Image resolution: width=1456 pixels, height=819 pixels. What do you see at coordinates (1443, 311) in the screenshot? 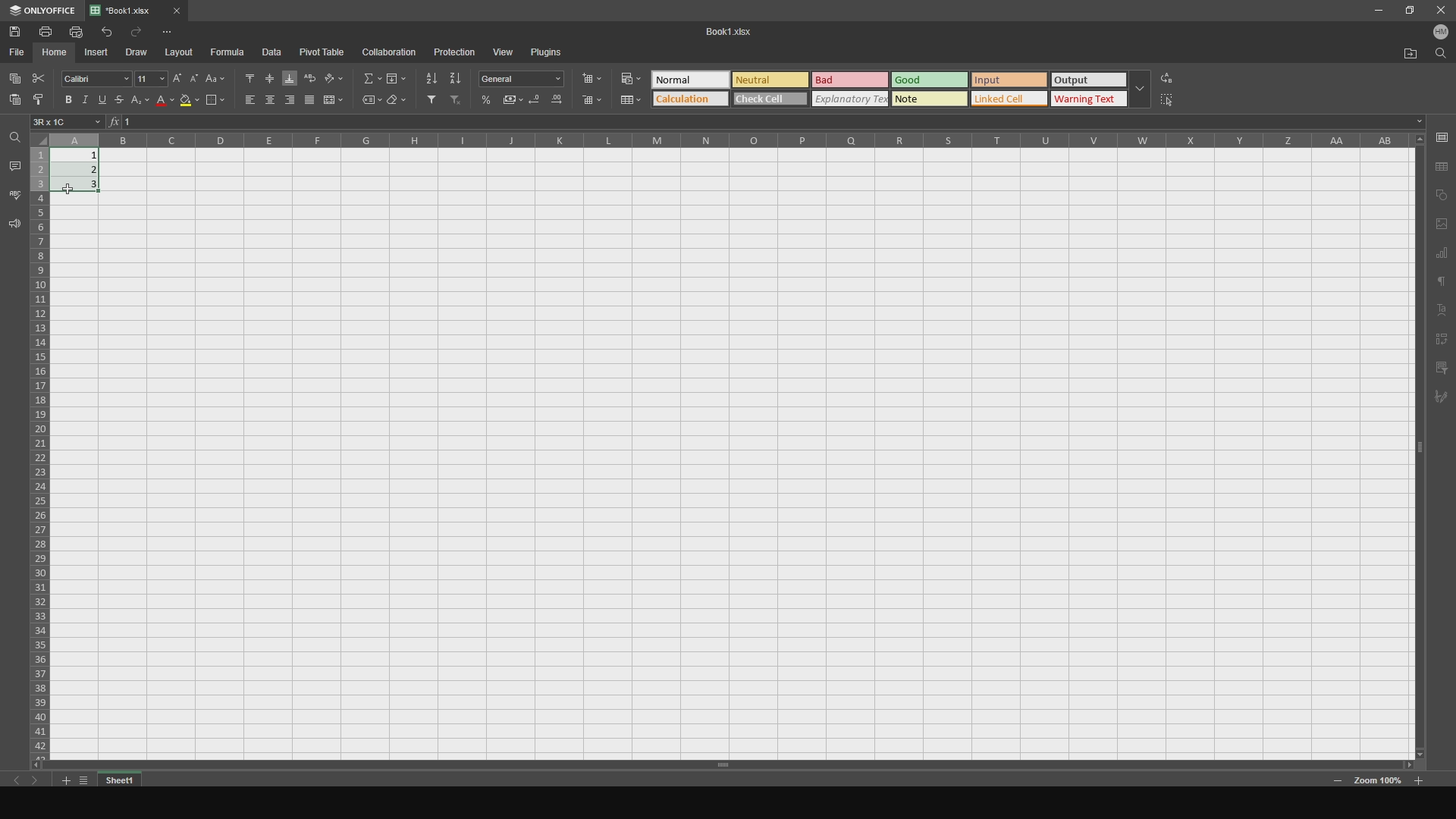
I see `text art` at bounding box center [1443, 311].